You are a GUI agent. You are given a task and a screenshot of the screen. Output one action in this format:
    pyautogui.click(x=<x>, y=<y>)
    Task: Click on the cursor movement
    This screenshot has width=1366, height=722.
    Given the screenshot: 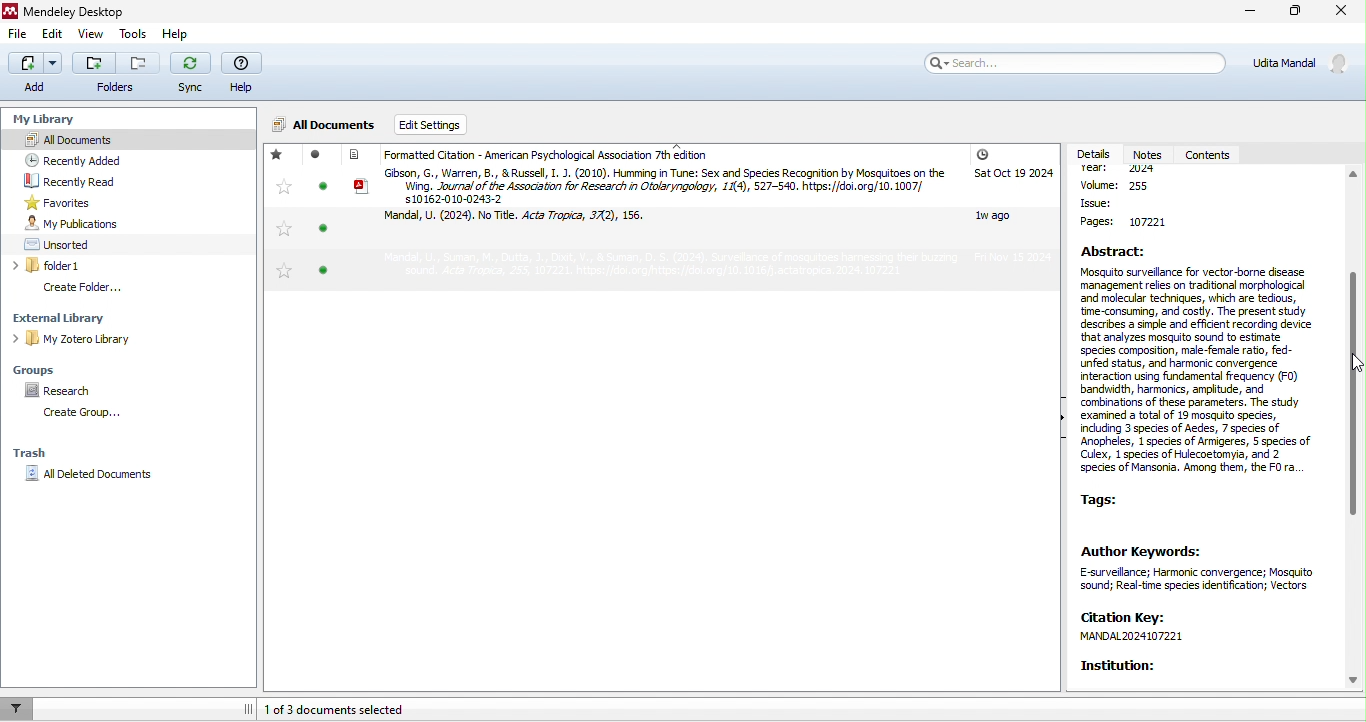 What is the action you would take?
    pyautogui.click(x=1352, y=368)
    